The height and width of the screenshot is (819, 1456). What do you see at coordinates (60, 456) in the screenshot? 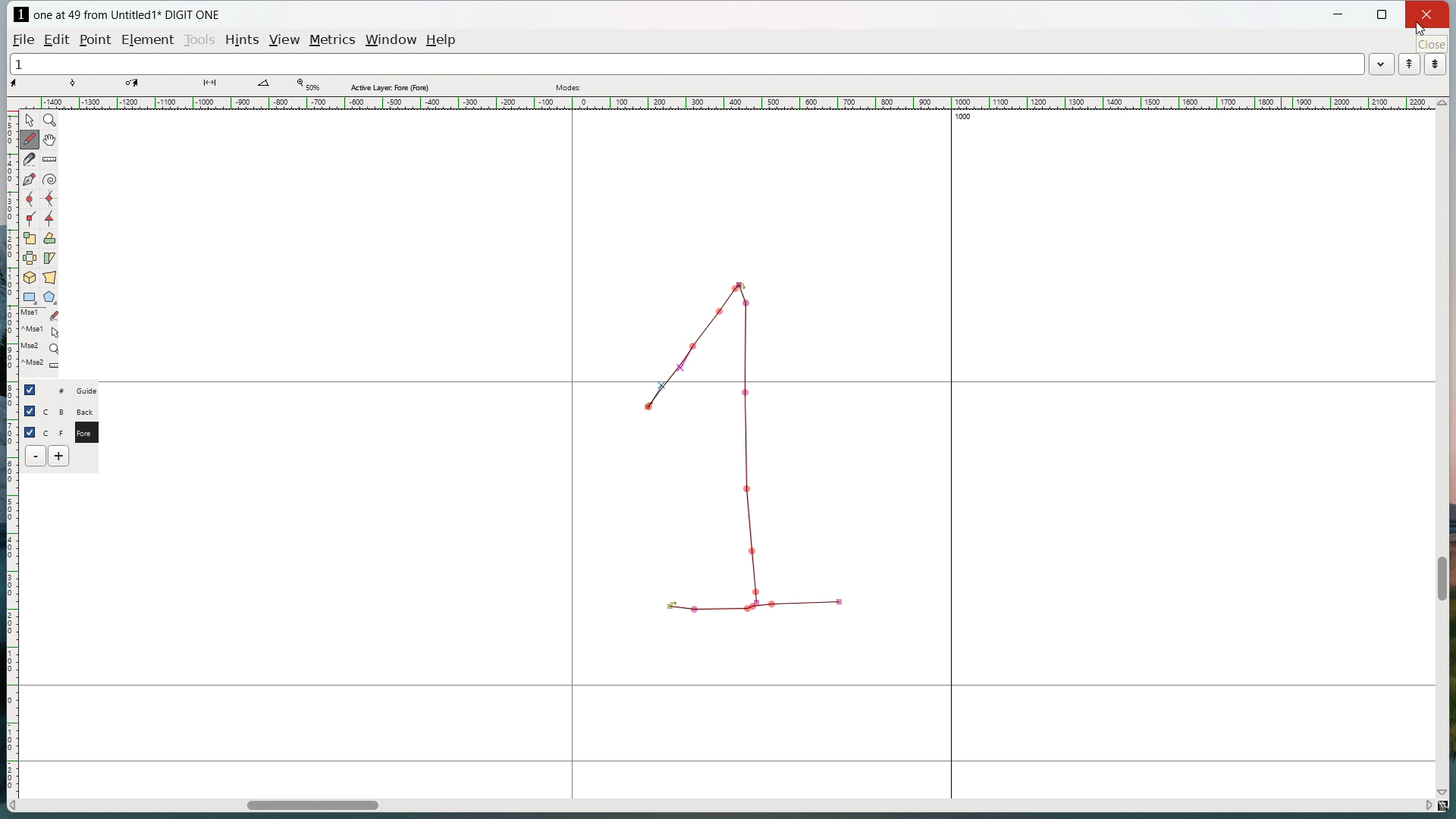
I see `add layer` at bounding box center [60, 456].